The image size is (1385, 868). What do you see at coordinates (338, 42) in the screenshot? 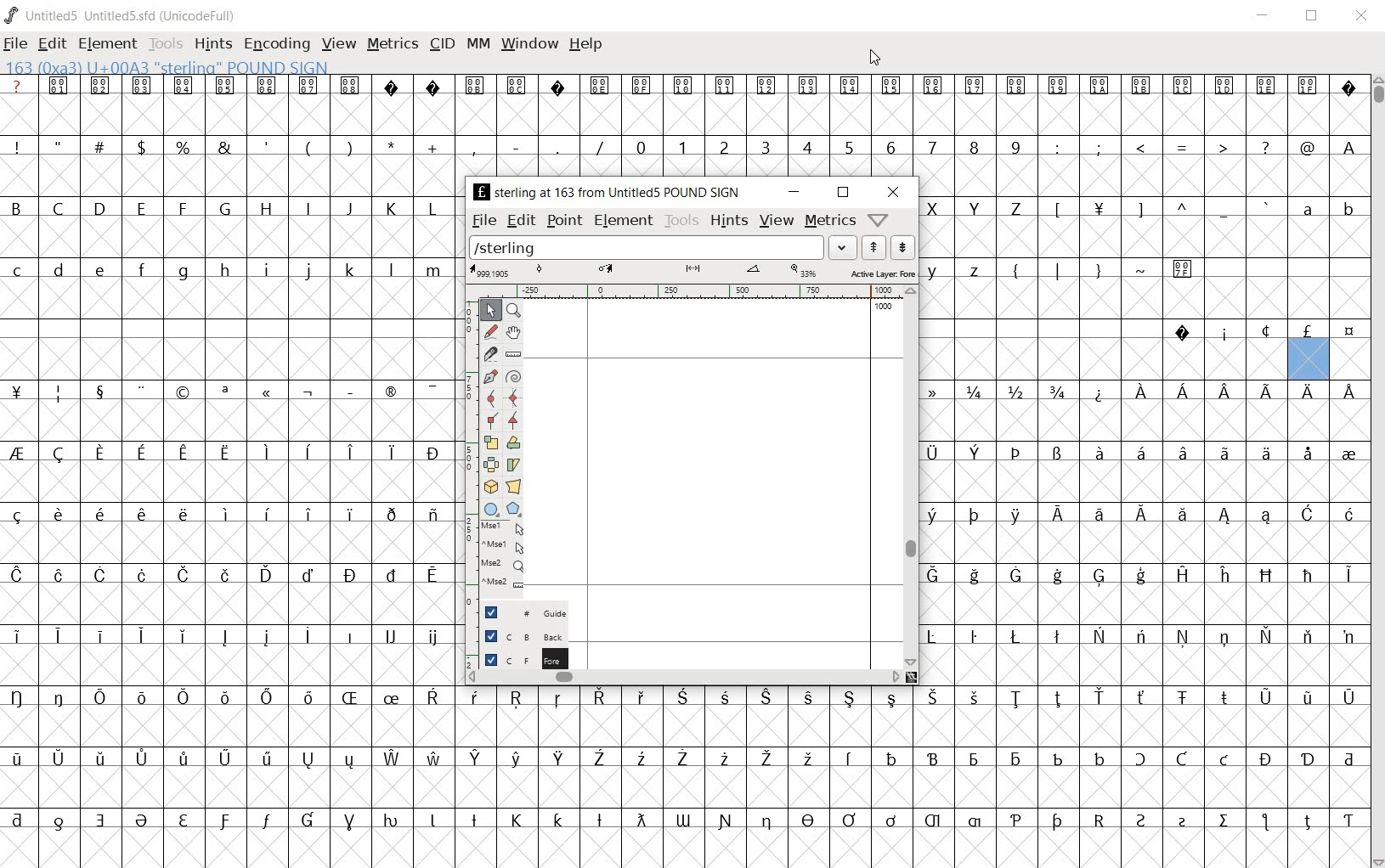
I see `VIEW` at bounding box center [338, 42].